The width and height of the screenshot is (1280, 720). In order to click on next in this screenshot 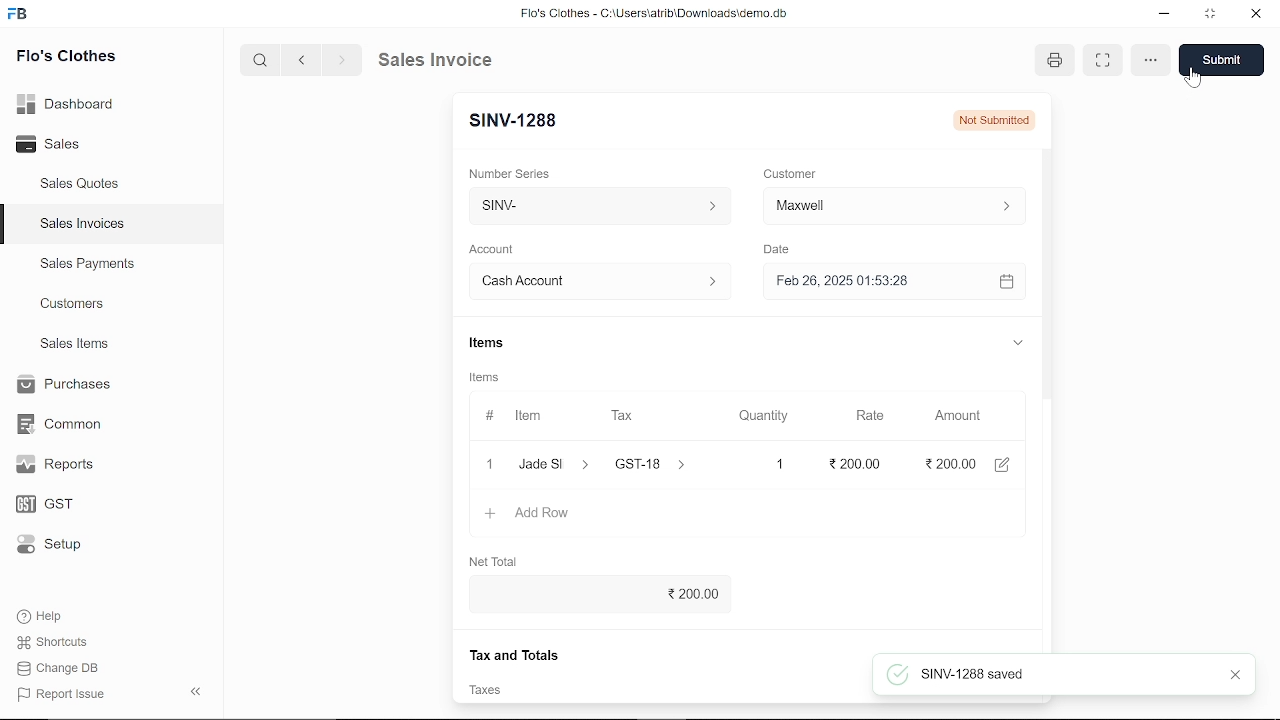, I will do `click(342, 60)`.